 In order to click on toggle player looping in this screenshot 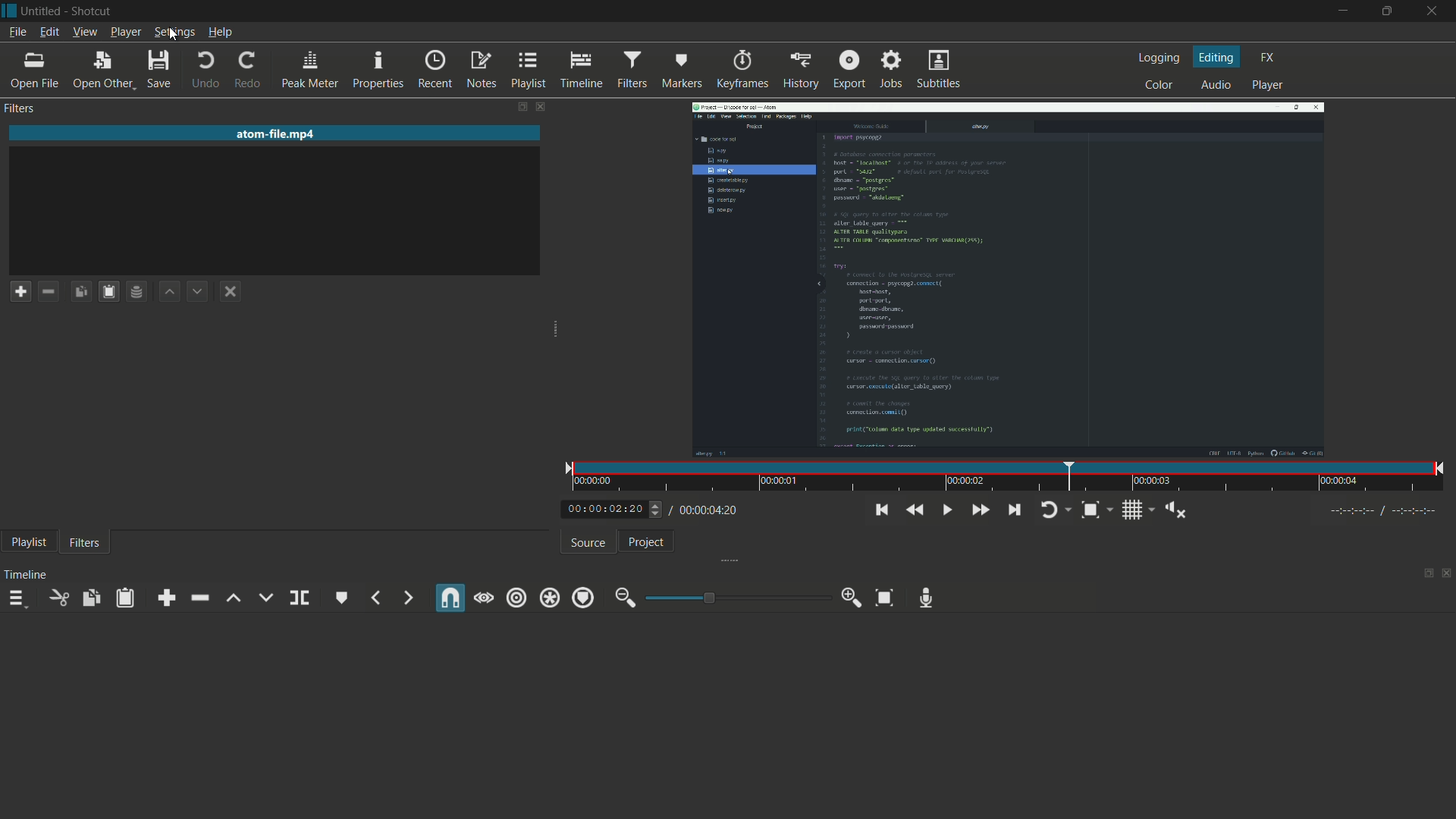, I will do `click(1055, 510)`.